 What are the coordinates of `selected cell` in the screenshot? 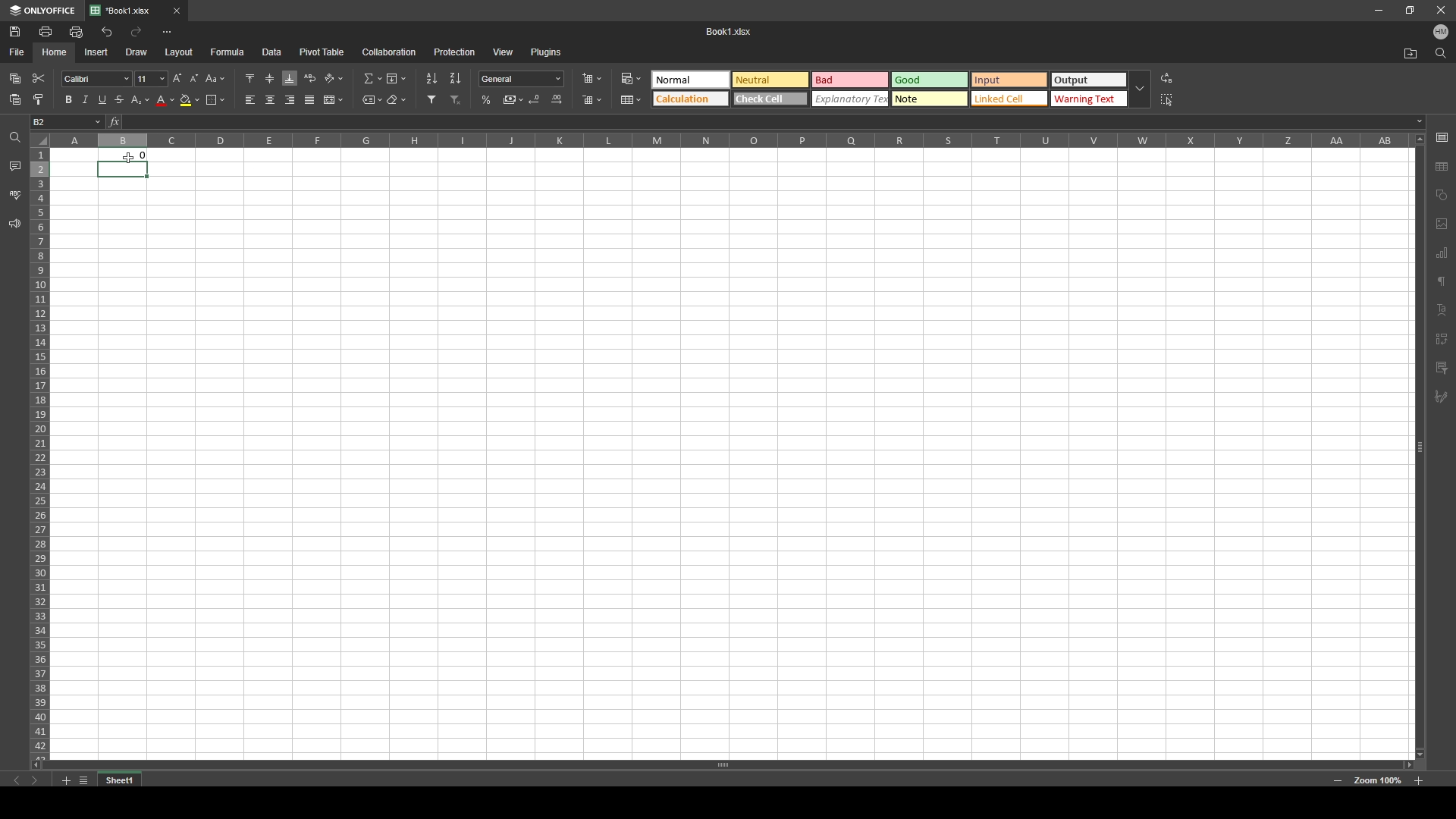 It's located at (124, 170).